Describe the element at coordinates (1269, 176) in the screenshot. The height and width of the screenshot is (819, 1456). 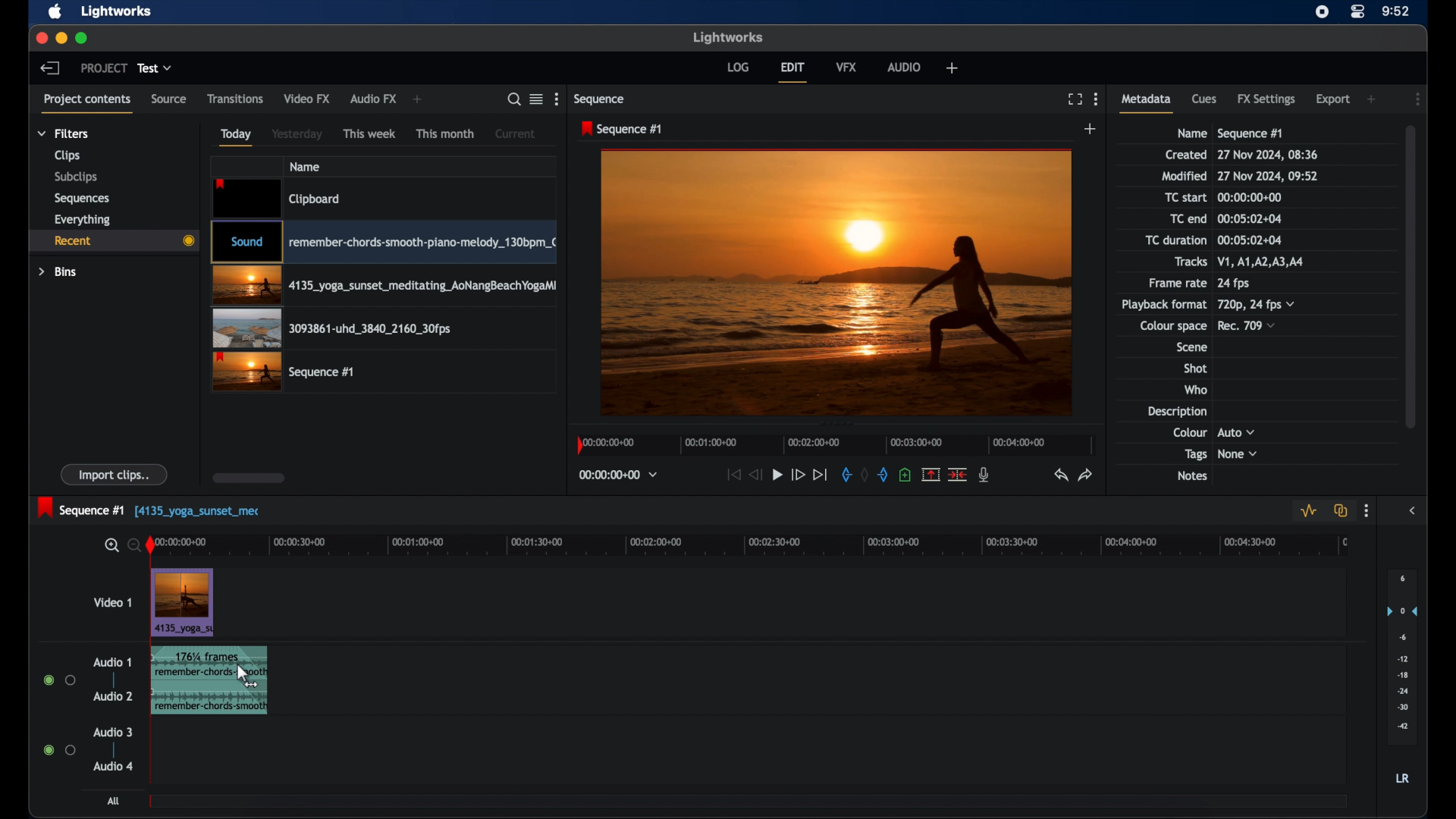
I see `modified` at that location.